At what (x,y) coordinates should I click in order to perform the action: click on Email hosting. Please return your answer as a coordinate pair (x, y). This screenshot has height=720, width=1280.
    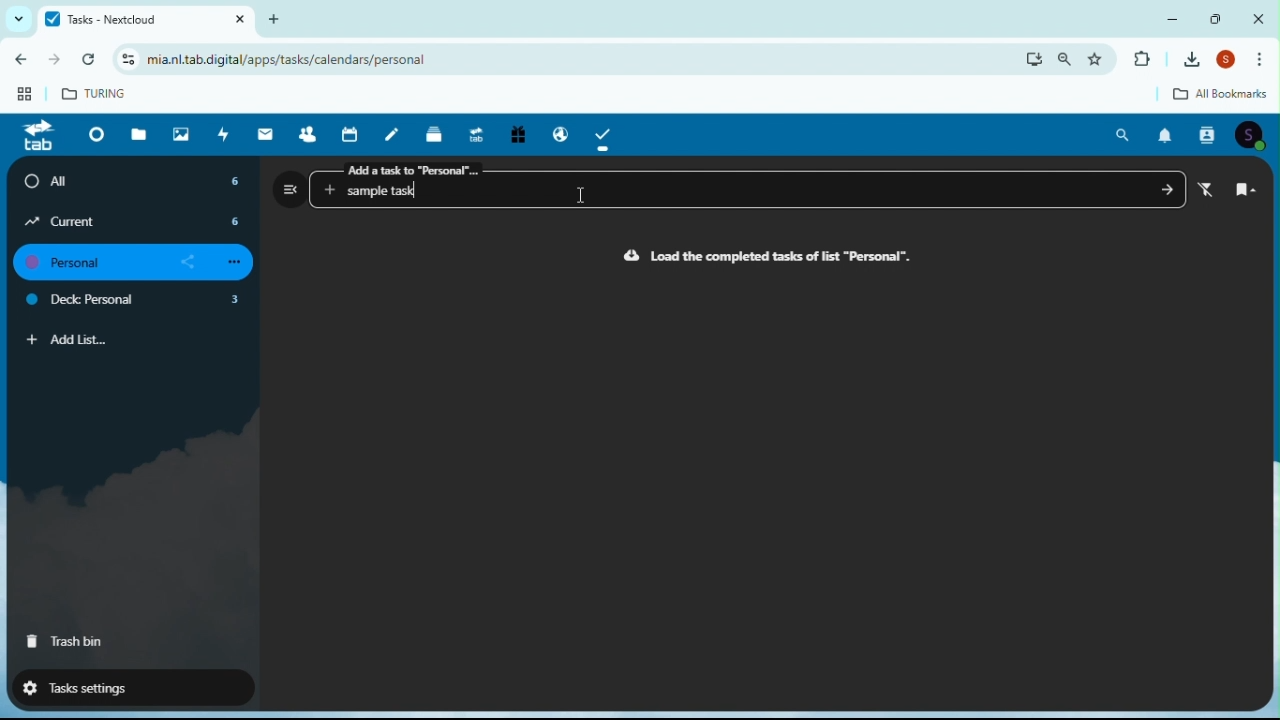
    Looking at the image, I should click on (556, 131).